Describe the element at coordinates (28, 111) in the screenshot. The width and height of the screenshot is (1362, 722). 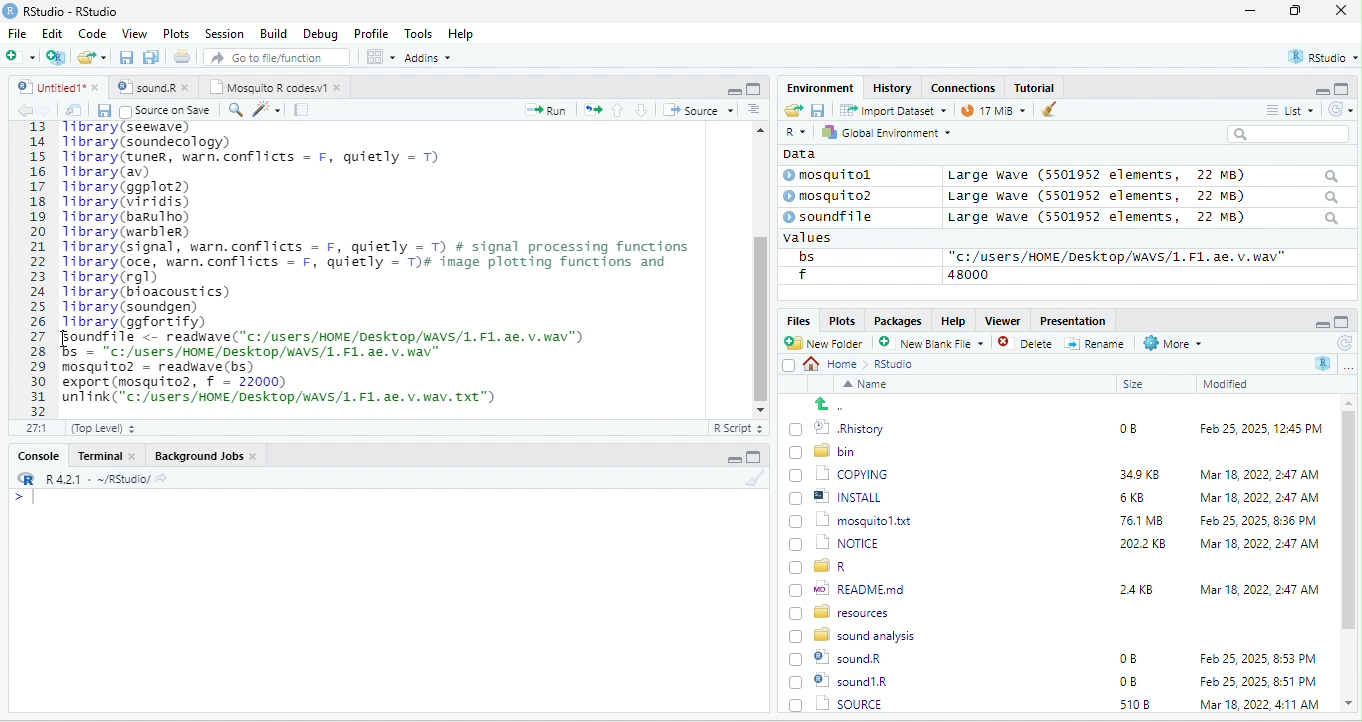
I see `back` at that location.